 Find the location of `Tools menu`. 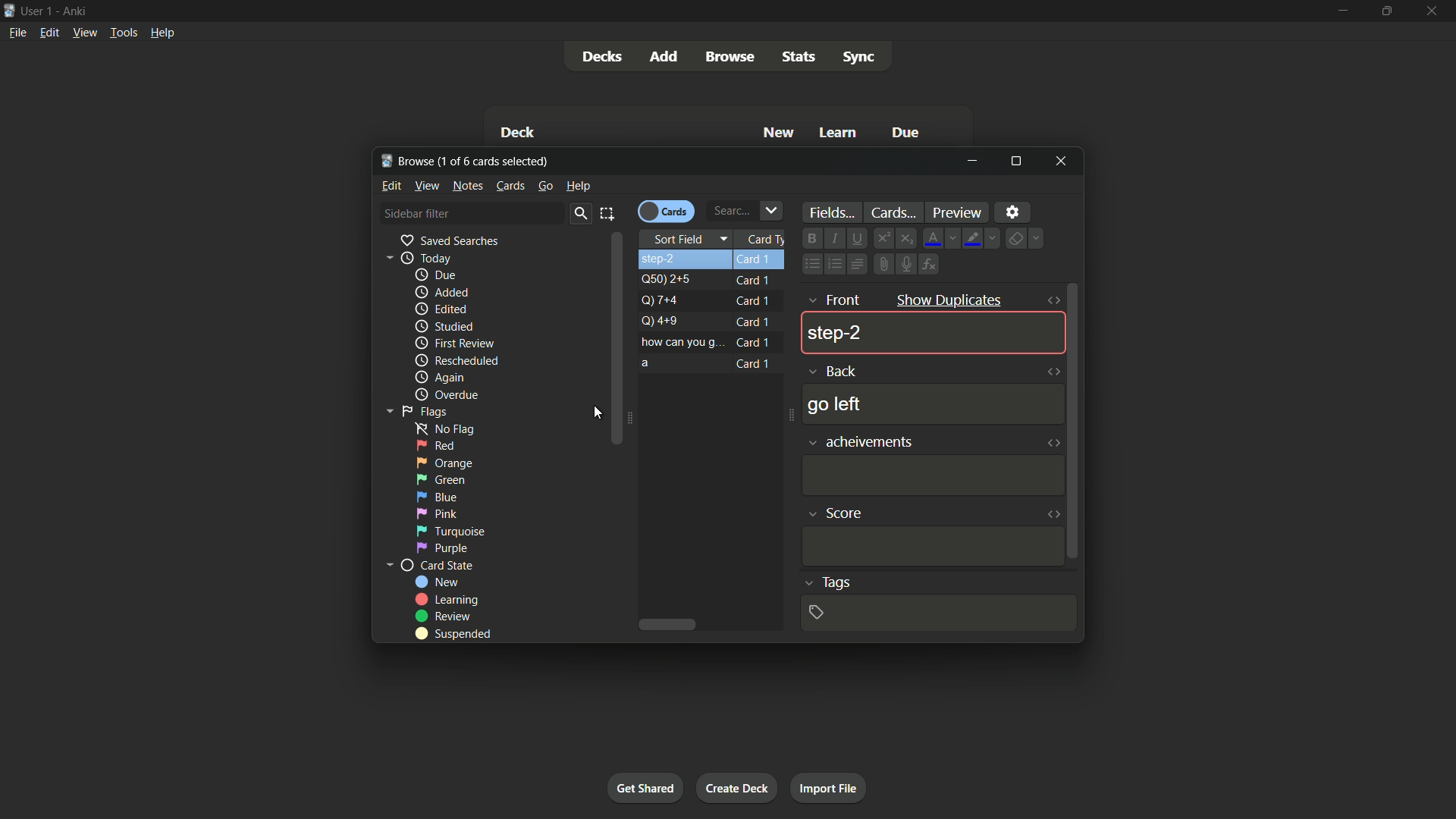

Tools menu is located at coordinates (121, 33).